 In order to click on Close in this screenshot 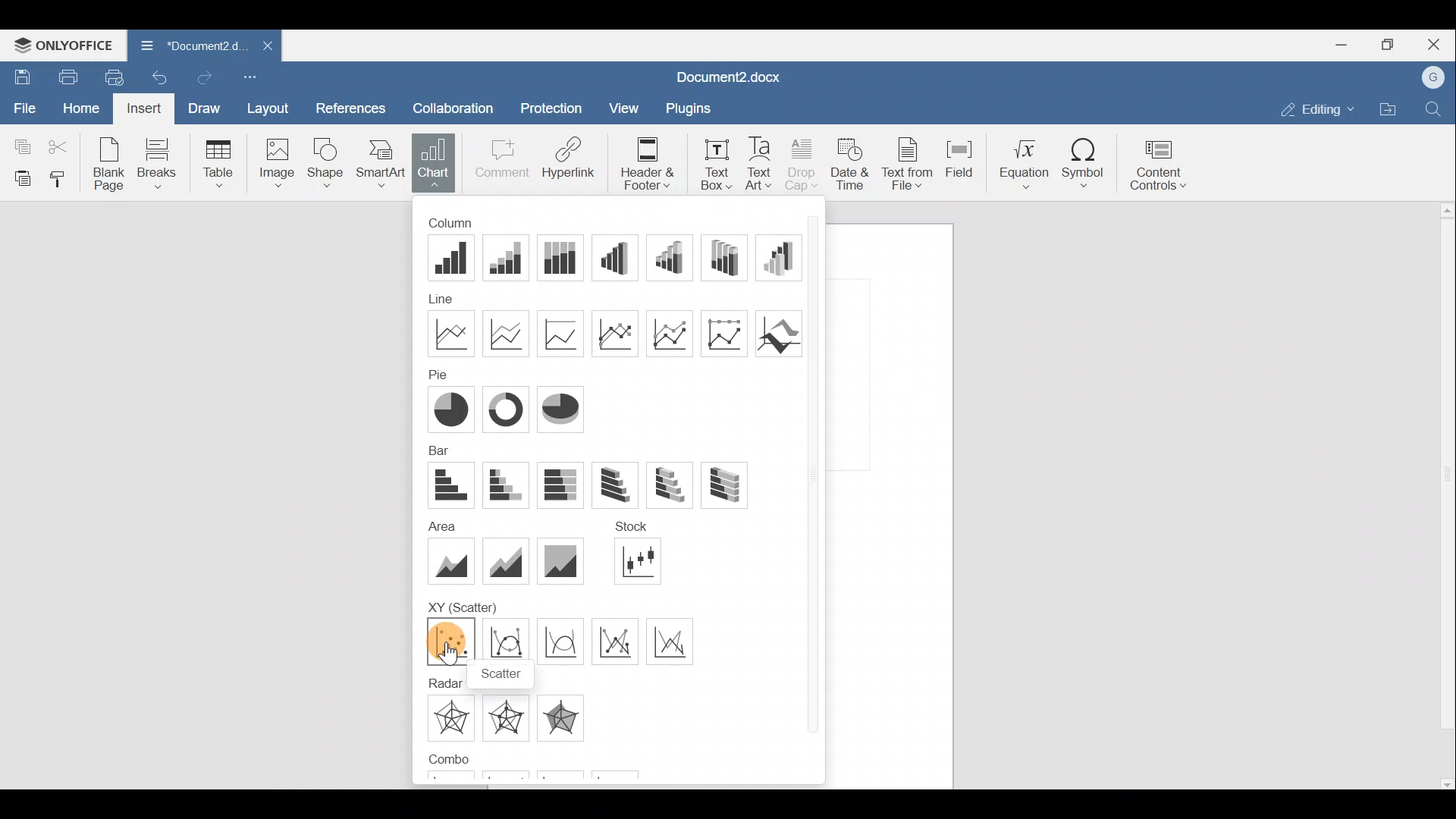, I will do `click(1436, 42)`.